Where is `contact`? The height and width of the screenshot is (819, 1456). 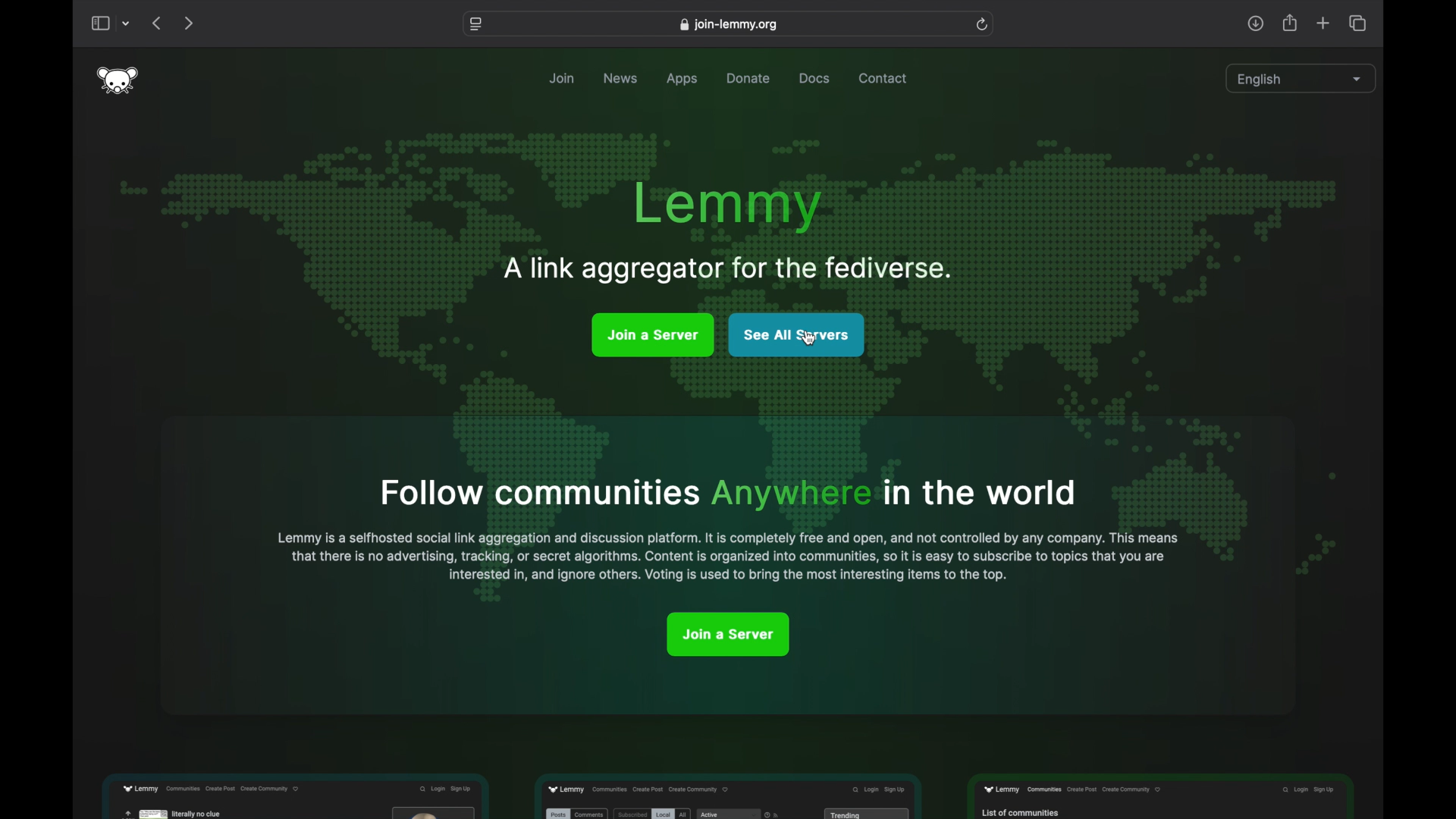
contact is located at coordinates (883, 79).